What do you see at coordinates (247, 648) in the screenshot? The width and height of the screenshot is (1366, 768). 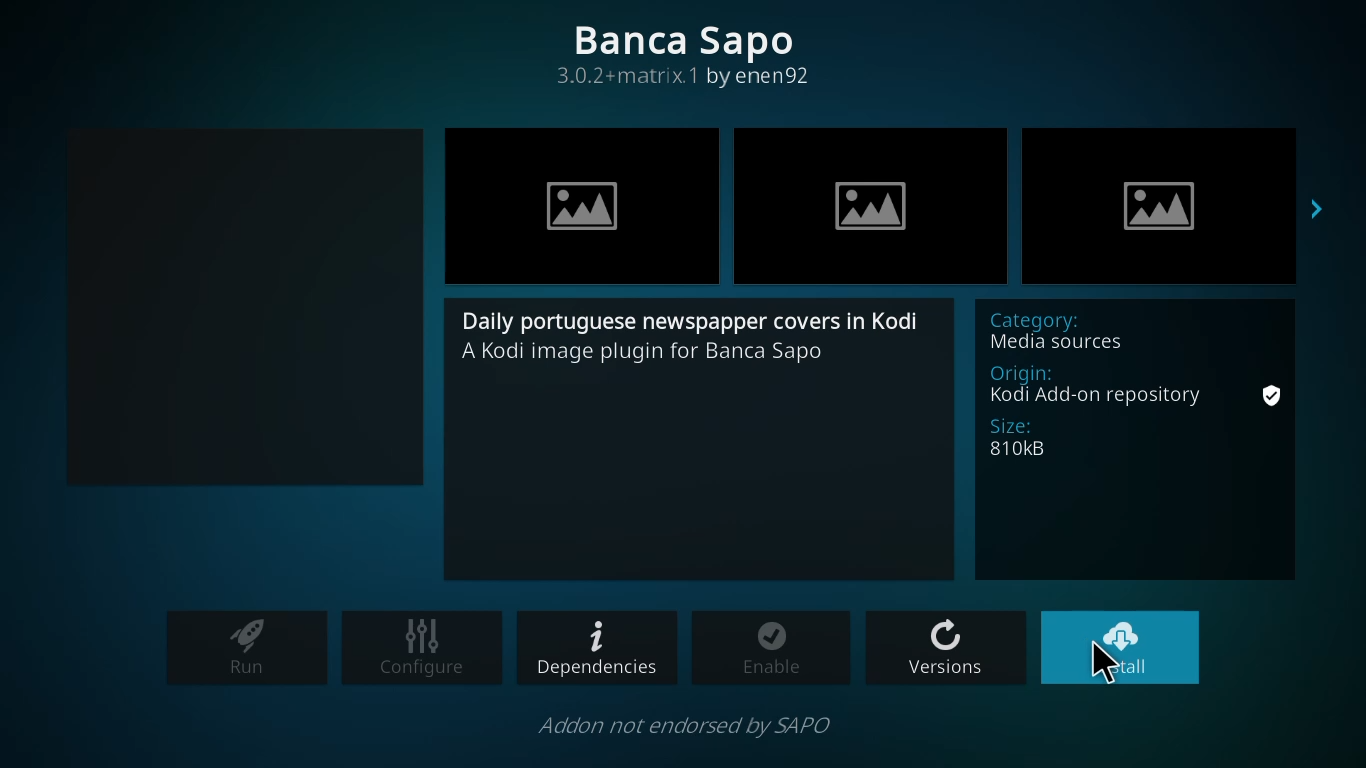 I see `run` at bounding box center [247, 648].